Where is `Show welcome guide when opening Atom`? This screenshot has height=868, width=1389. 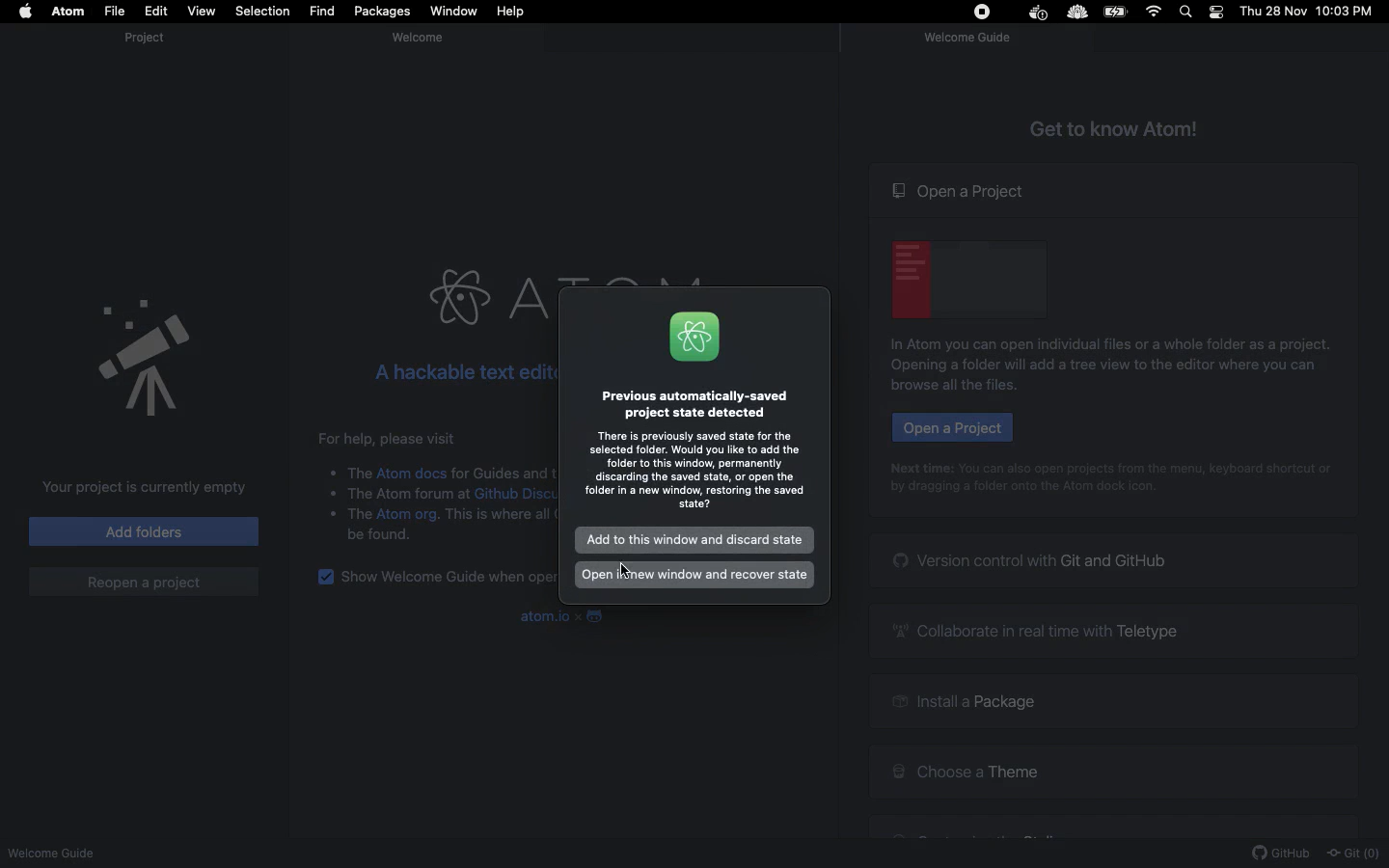
Show welcome guide when opening Atom is located at coordinates (448, 578).